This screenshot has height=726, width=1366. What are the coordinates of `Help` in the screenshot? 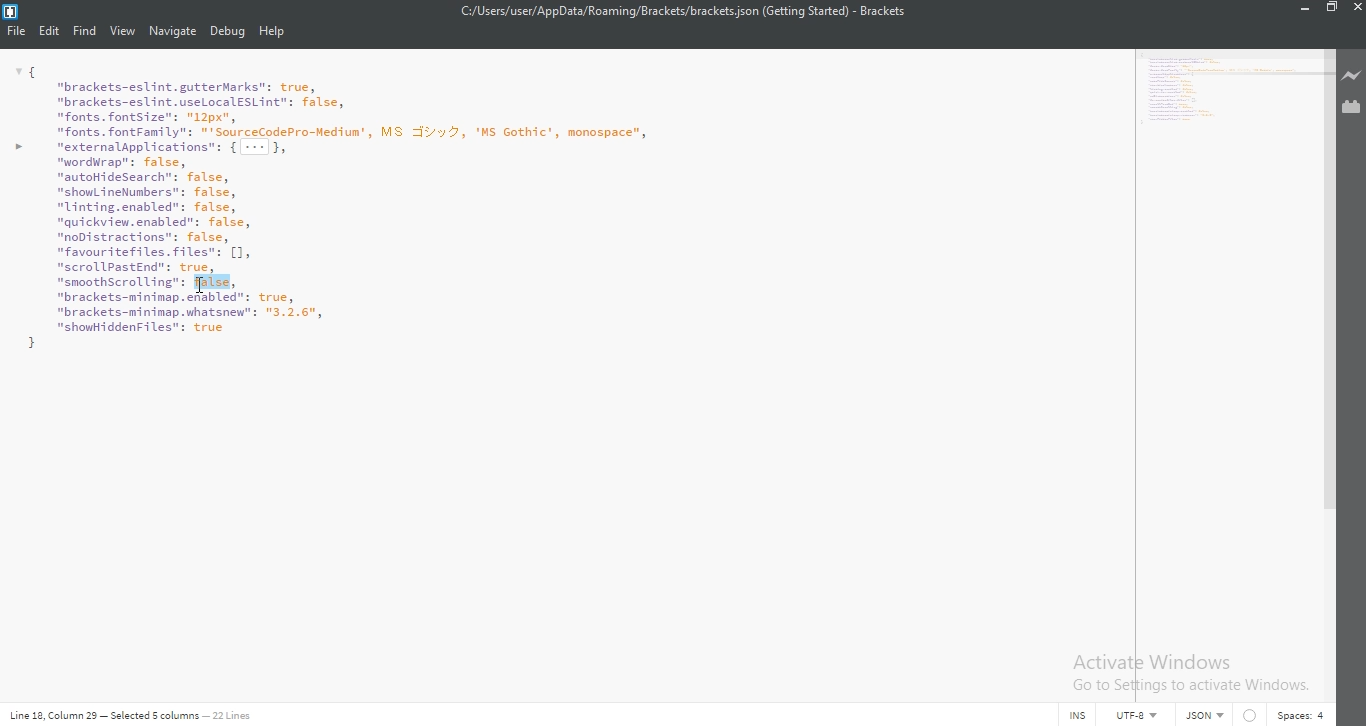 It's located at (274, 33).